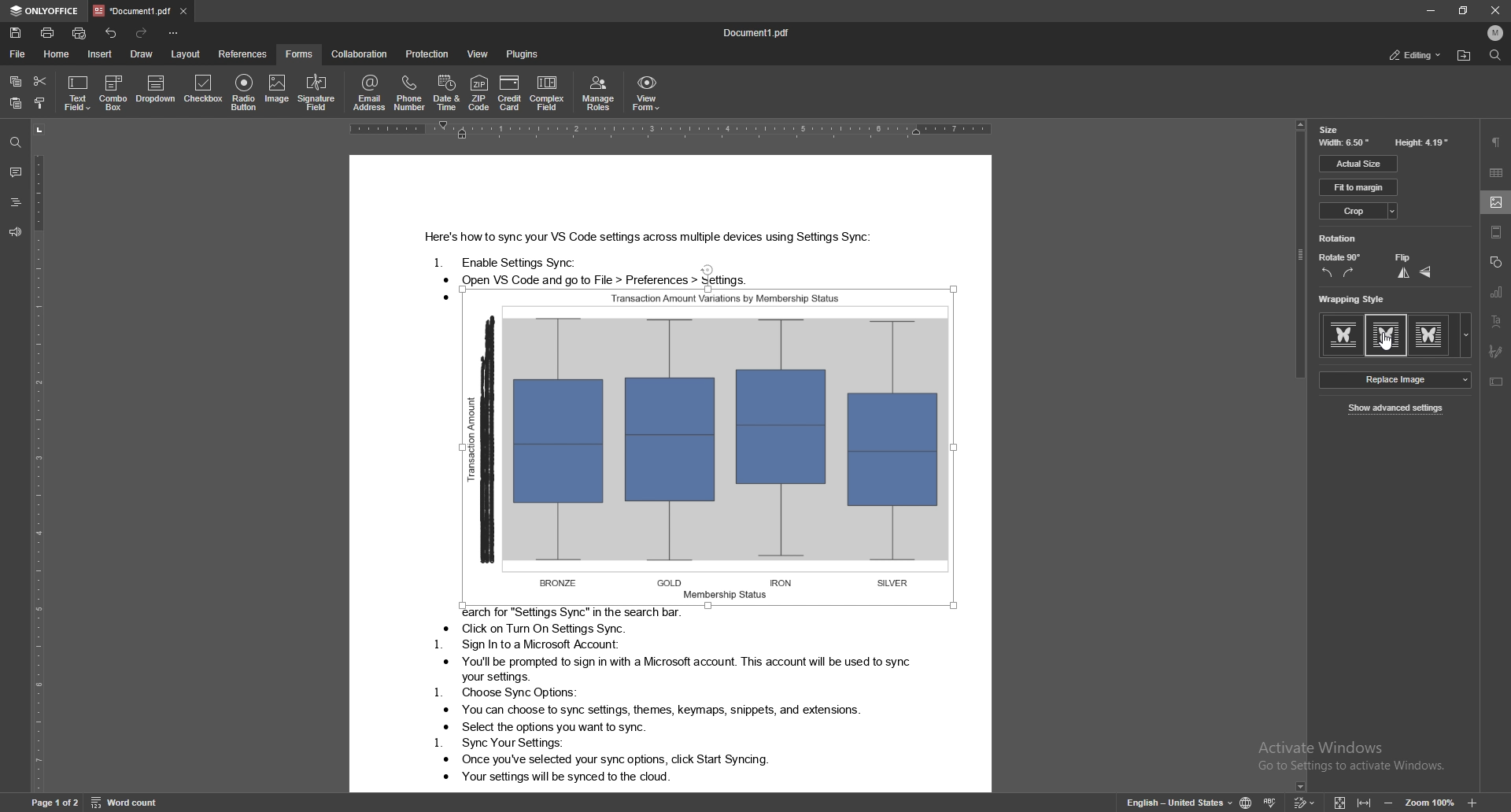 Image resolution: width=1511 pixels, height=812 pixels. Describe the element at coordinates (186, 54) in the screenshot. I see `layout` at that location.